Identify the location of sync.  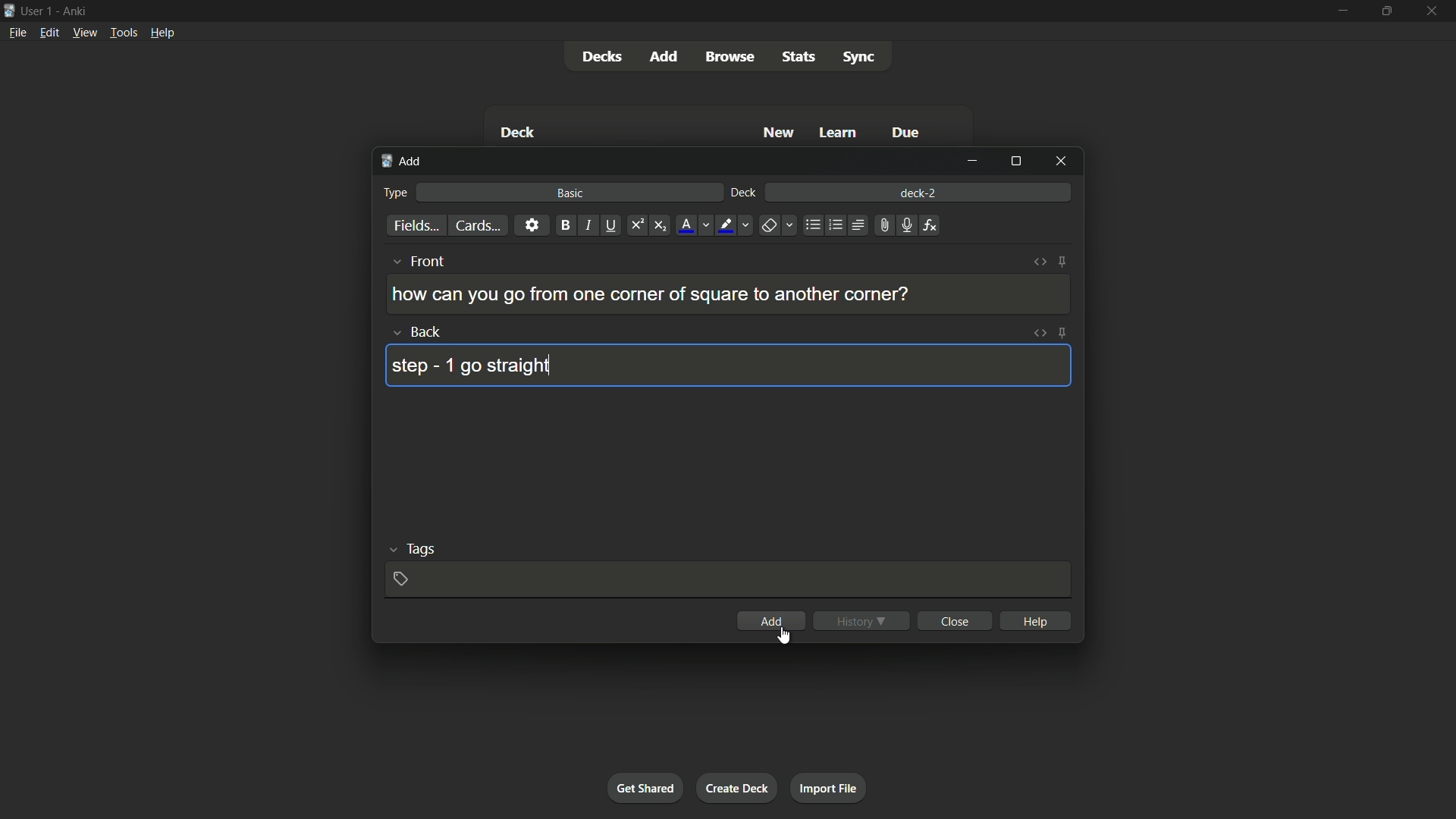
(859, 58).